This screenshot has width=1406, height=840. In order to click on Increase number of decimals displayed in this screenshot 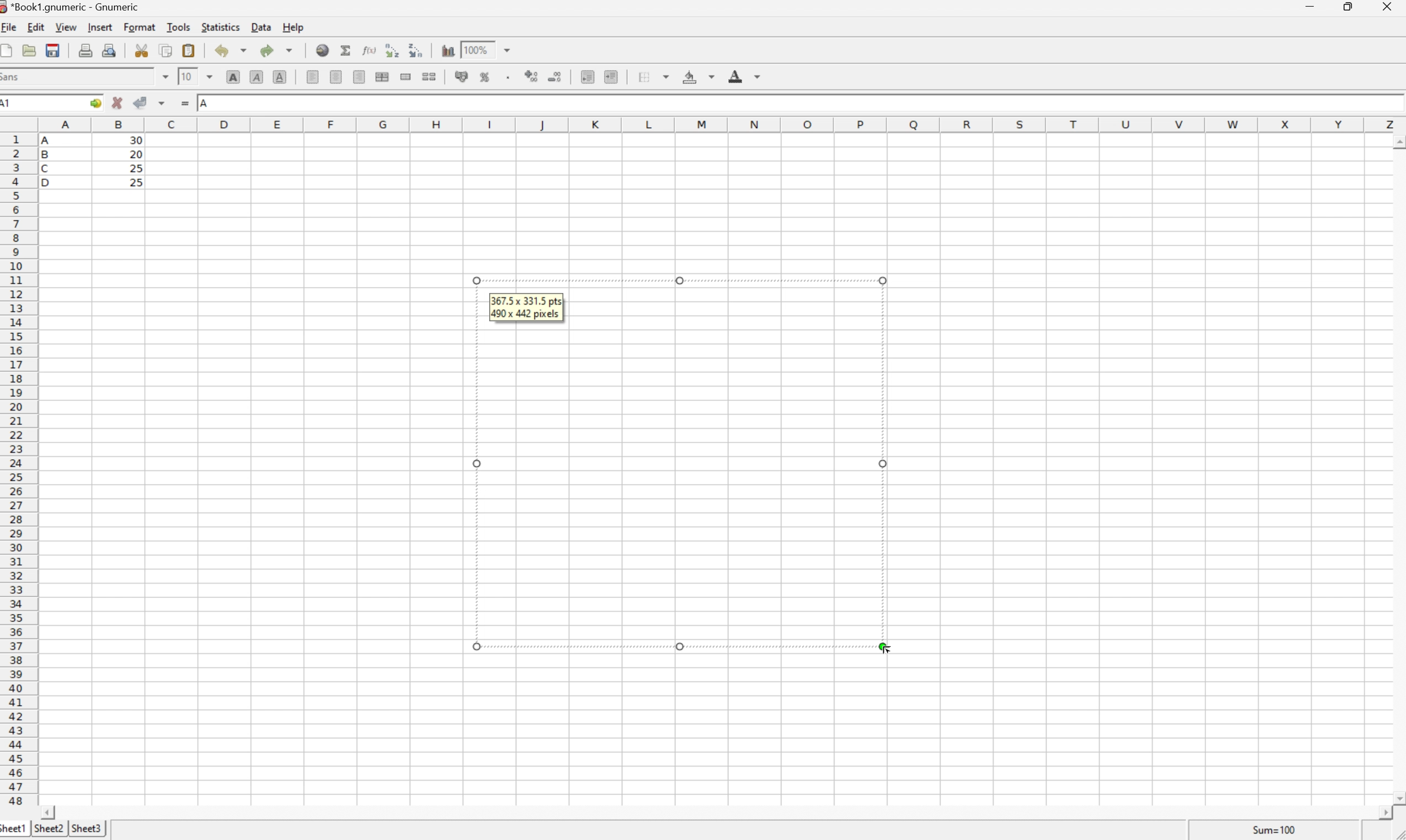, I will do `click(532, 78)`.